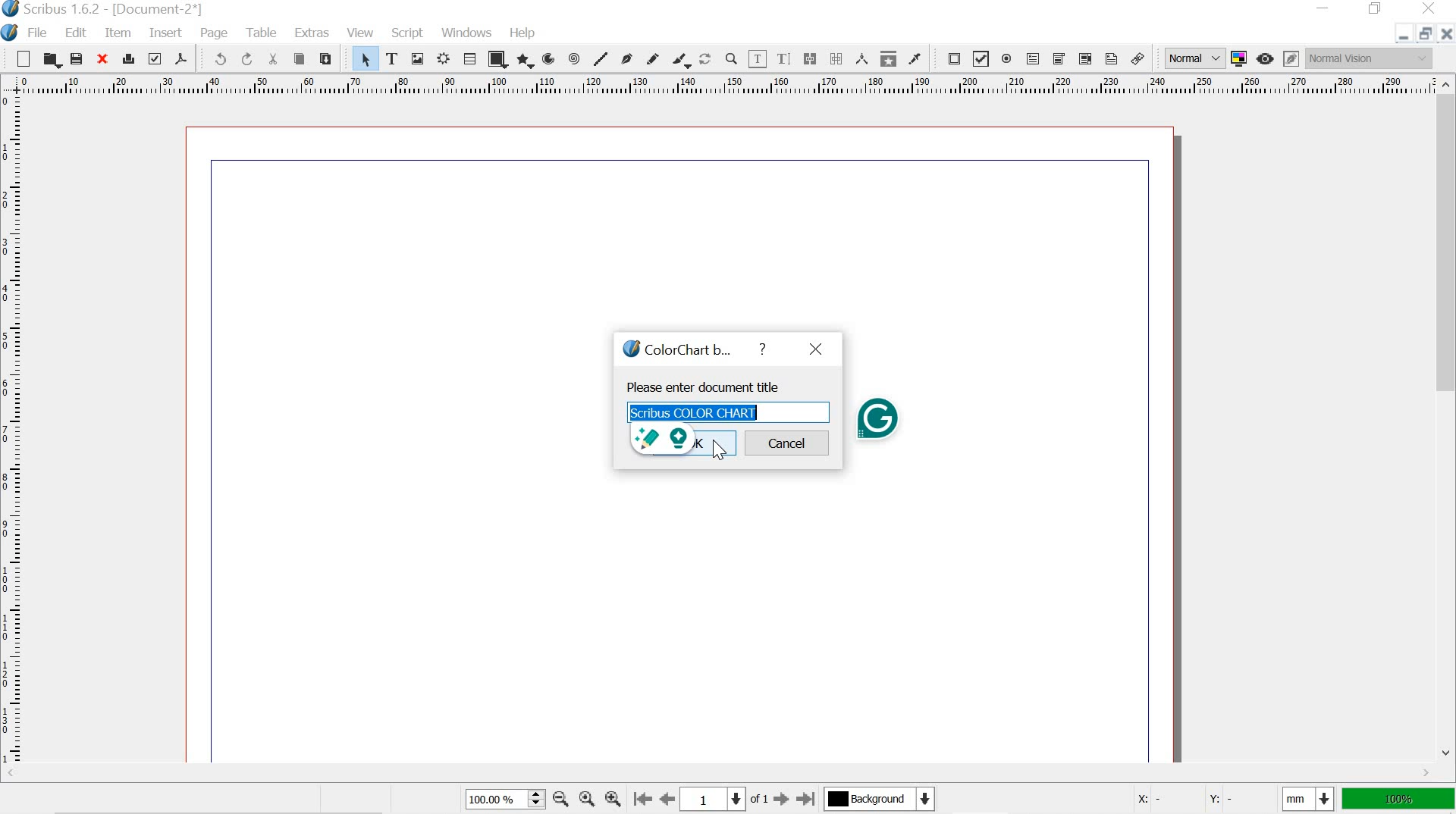 The height and width of the screenshot is (814, 1456). What do you see at coordinates (706, 60) in the screenshot?
I see `rotate` at bounding box center [706, 60].